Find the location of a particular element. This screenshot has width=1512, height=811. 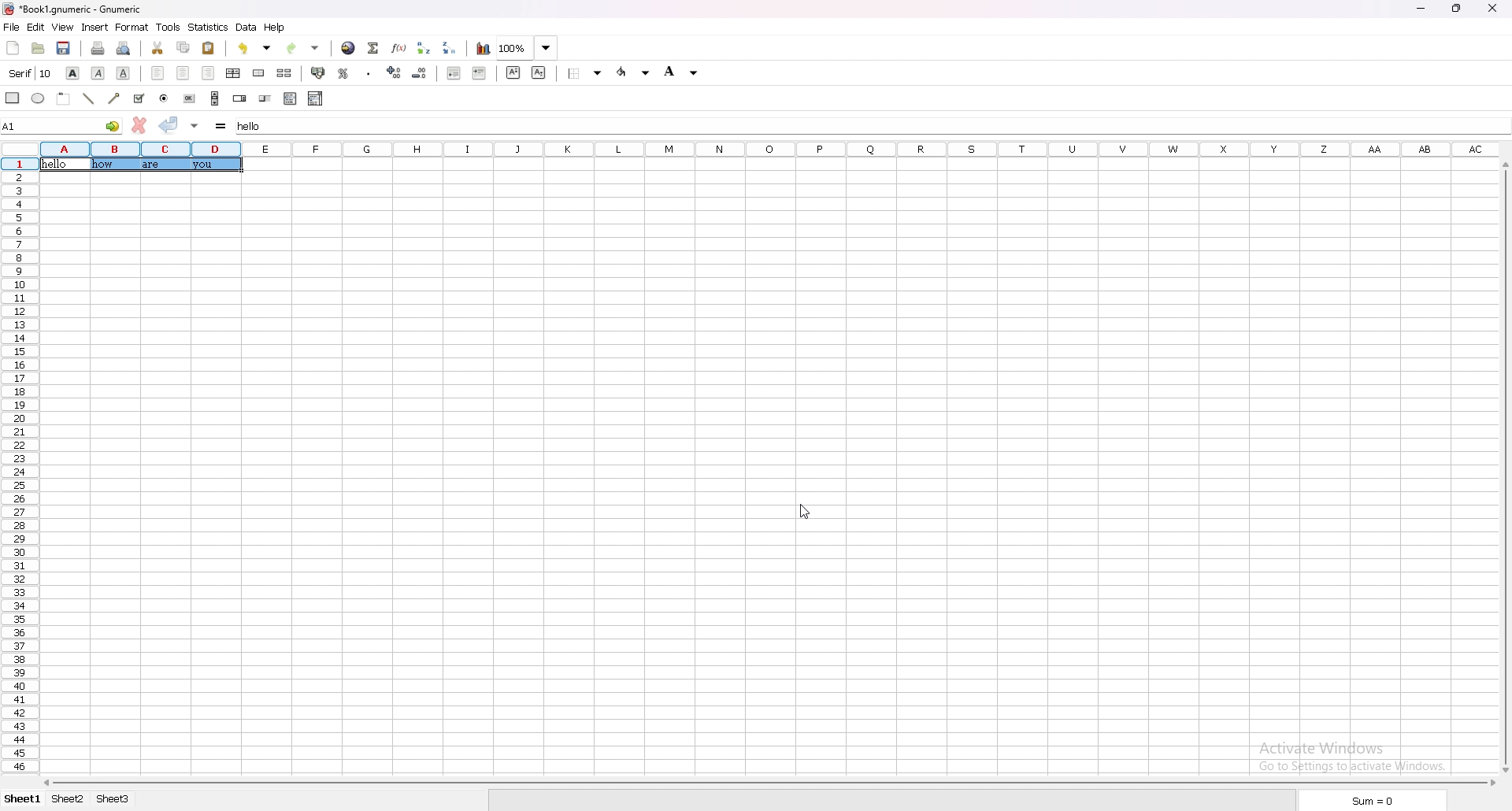

tools is located at coordinates (169, 27).